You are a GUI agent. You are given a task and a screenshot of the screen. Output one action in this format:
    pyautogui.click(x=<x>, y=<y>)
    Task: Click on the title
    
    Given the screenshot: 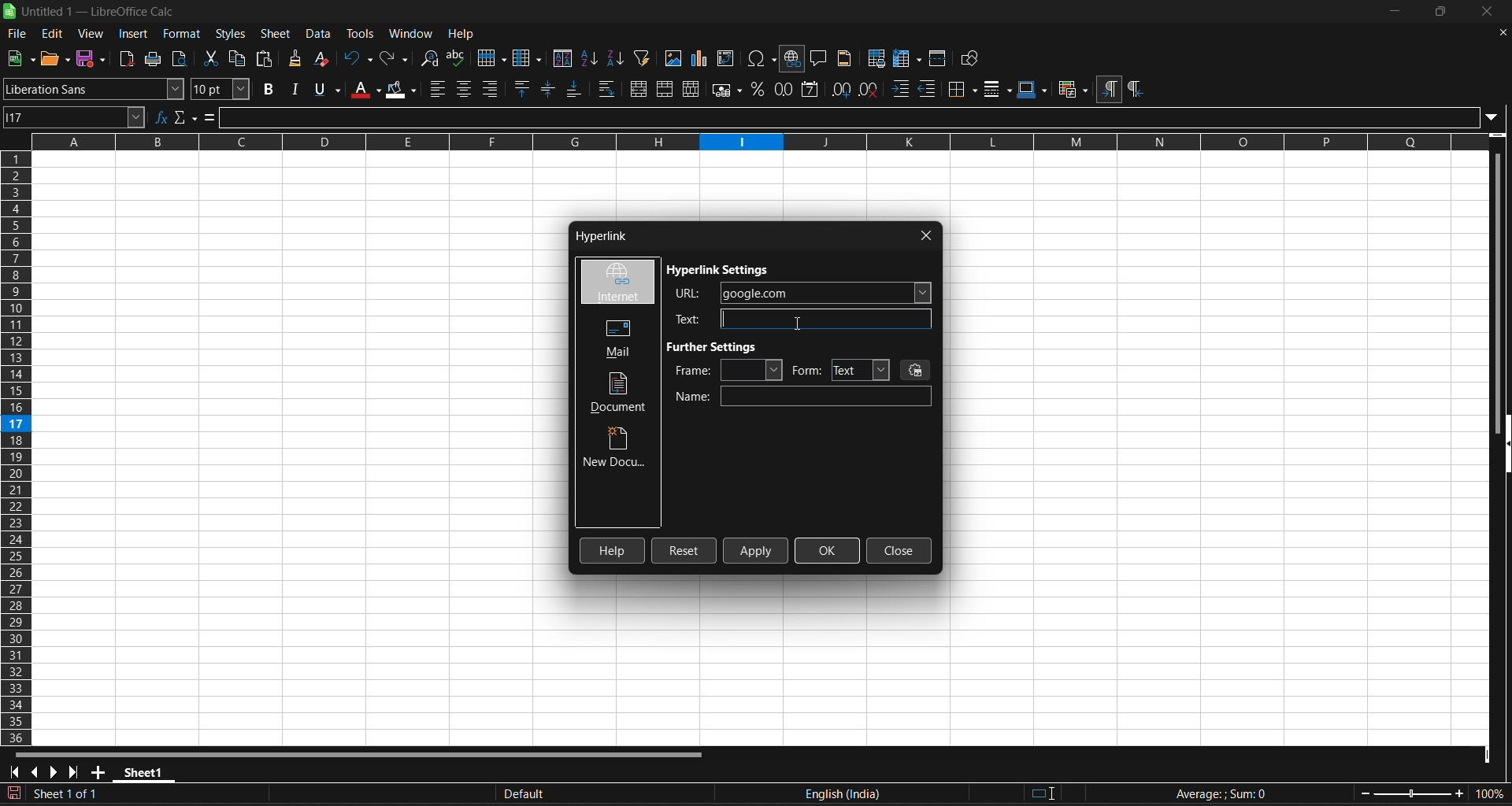 What is the action you would take?
    pyautogui.click(x=99, y=12)
    